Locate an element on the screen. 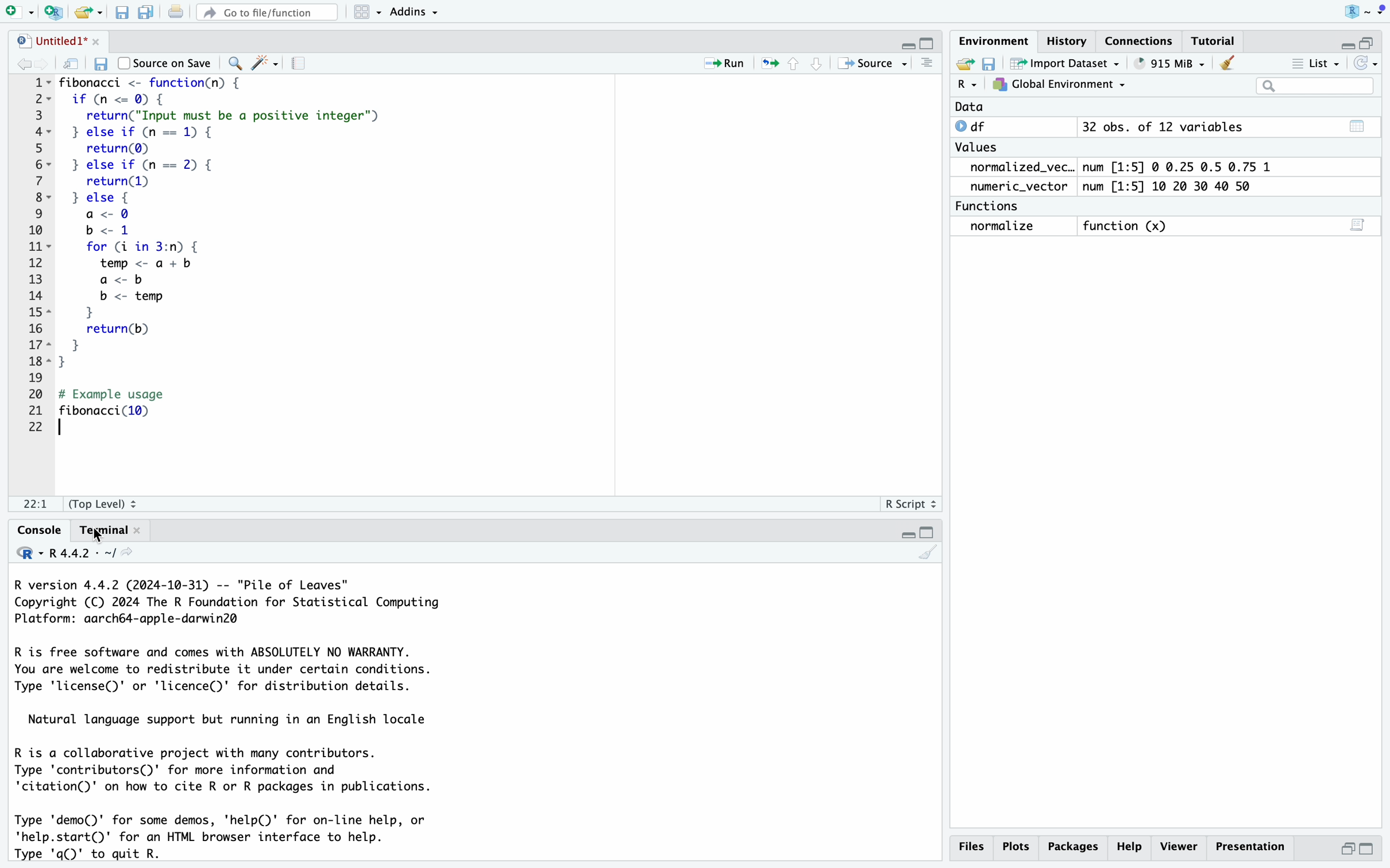 The width and height of the screenshot is (1390, 868). files is located at coordinates (971, 846).